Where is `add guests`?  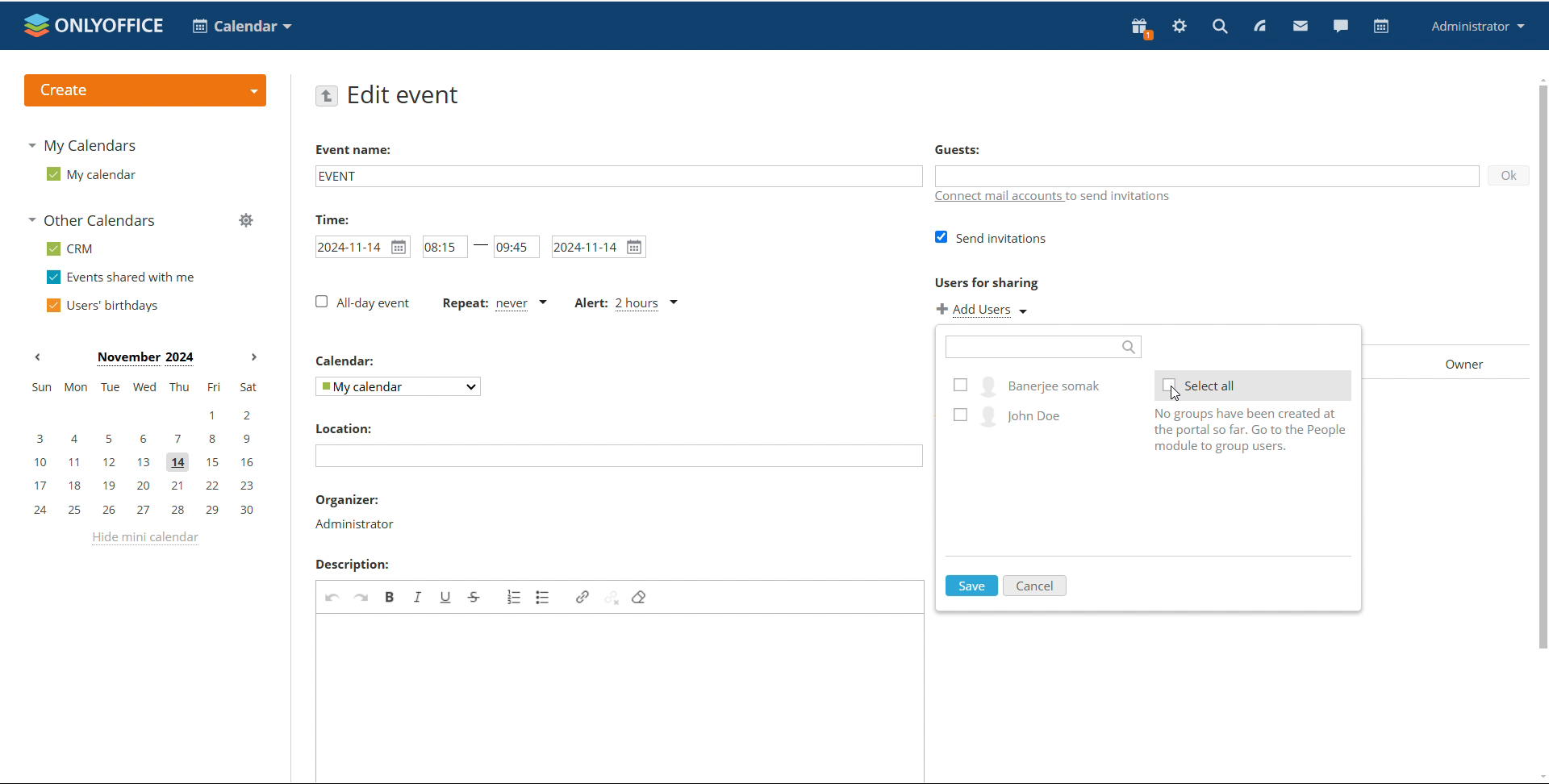
add guests is located at coordinates (1205, 174).